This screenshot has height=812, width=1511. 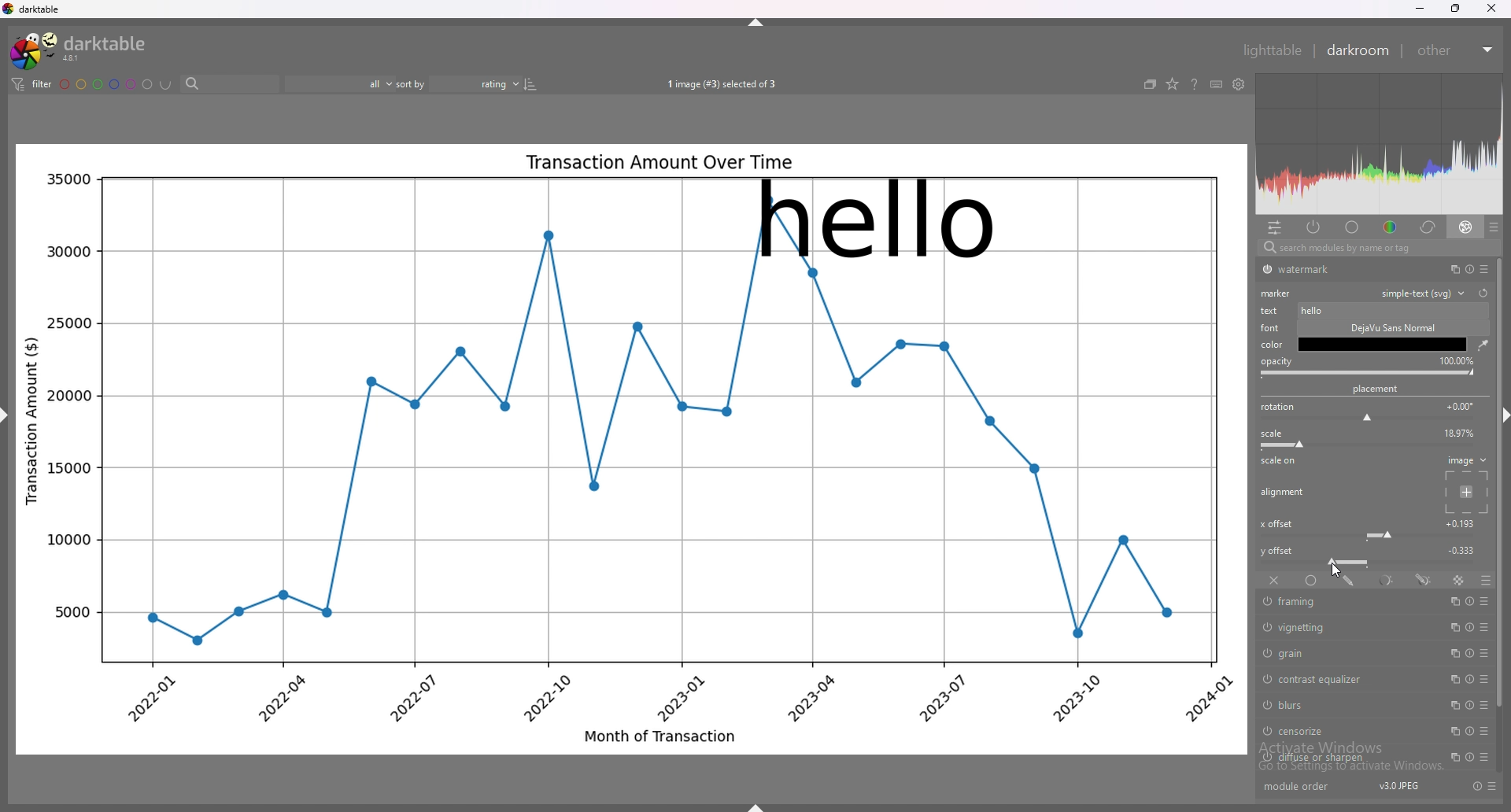 I want to click on presets, so click(x=1484, y=268).